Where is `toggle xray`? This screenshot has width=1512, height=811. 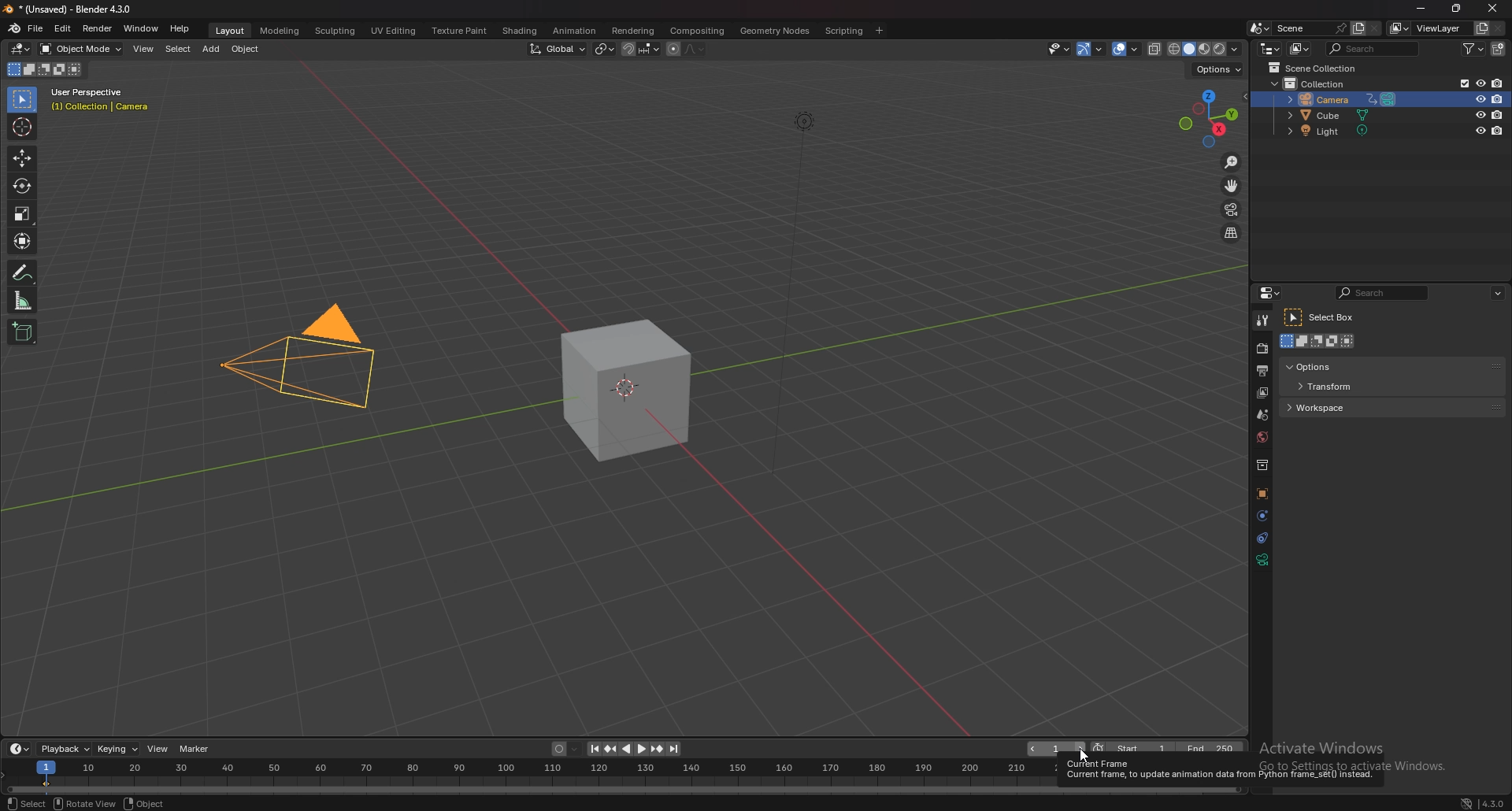
toggle xray is located at coordinates (1155, 49).